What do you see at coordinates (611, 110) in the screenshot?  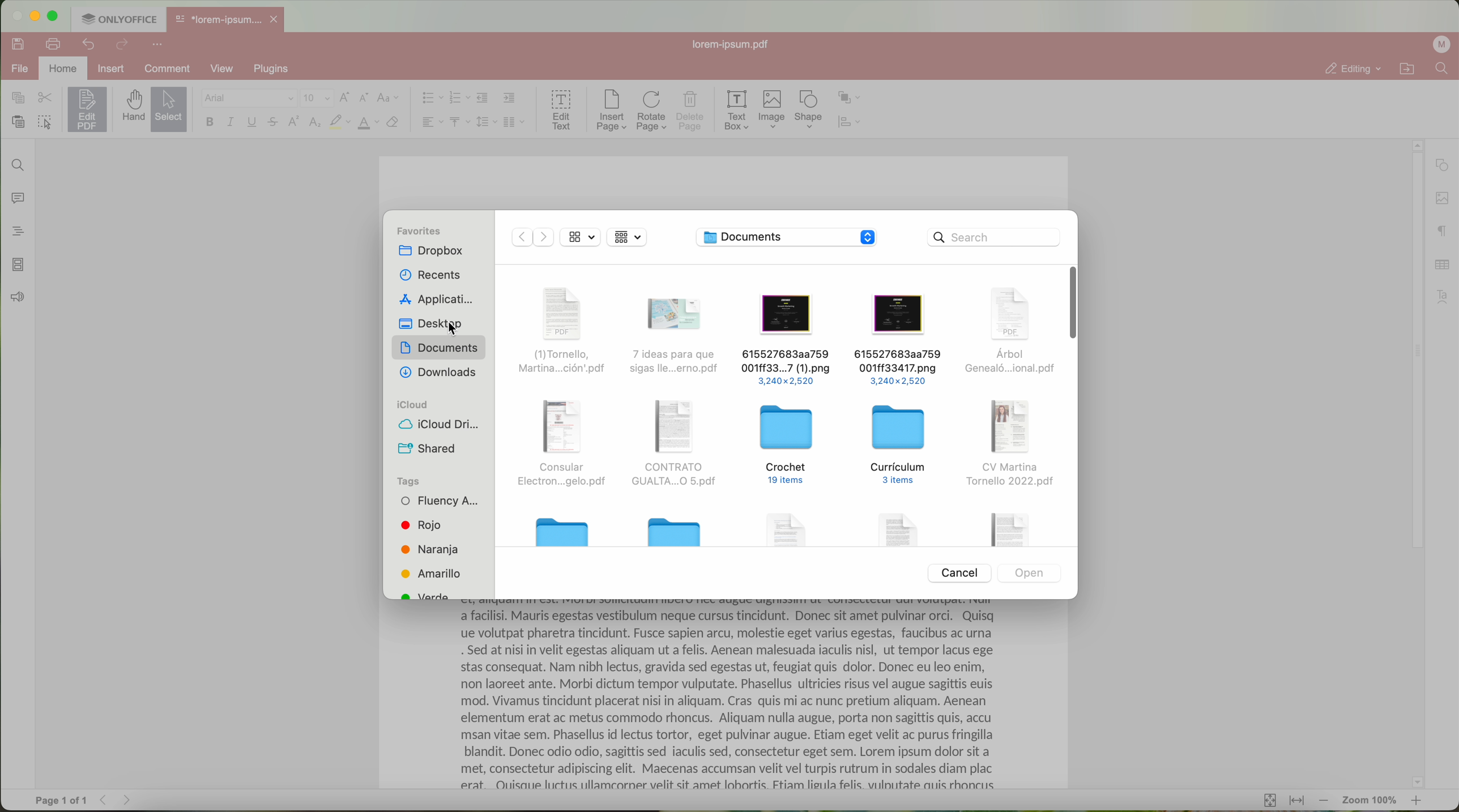 I see `insert page` at bounding box center [611, 110].